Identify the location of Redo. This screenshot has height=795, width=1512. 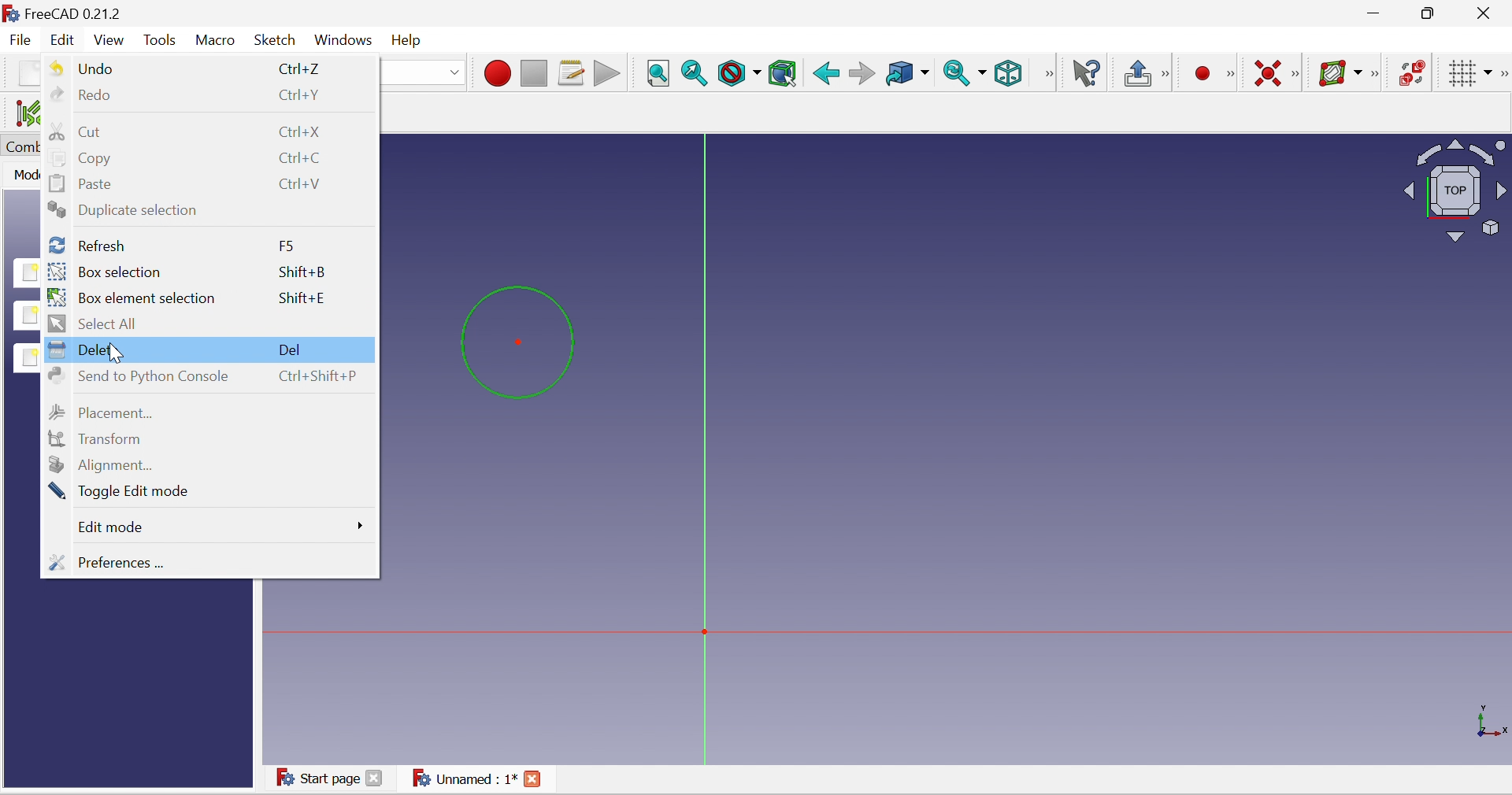
(80, 94).